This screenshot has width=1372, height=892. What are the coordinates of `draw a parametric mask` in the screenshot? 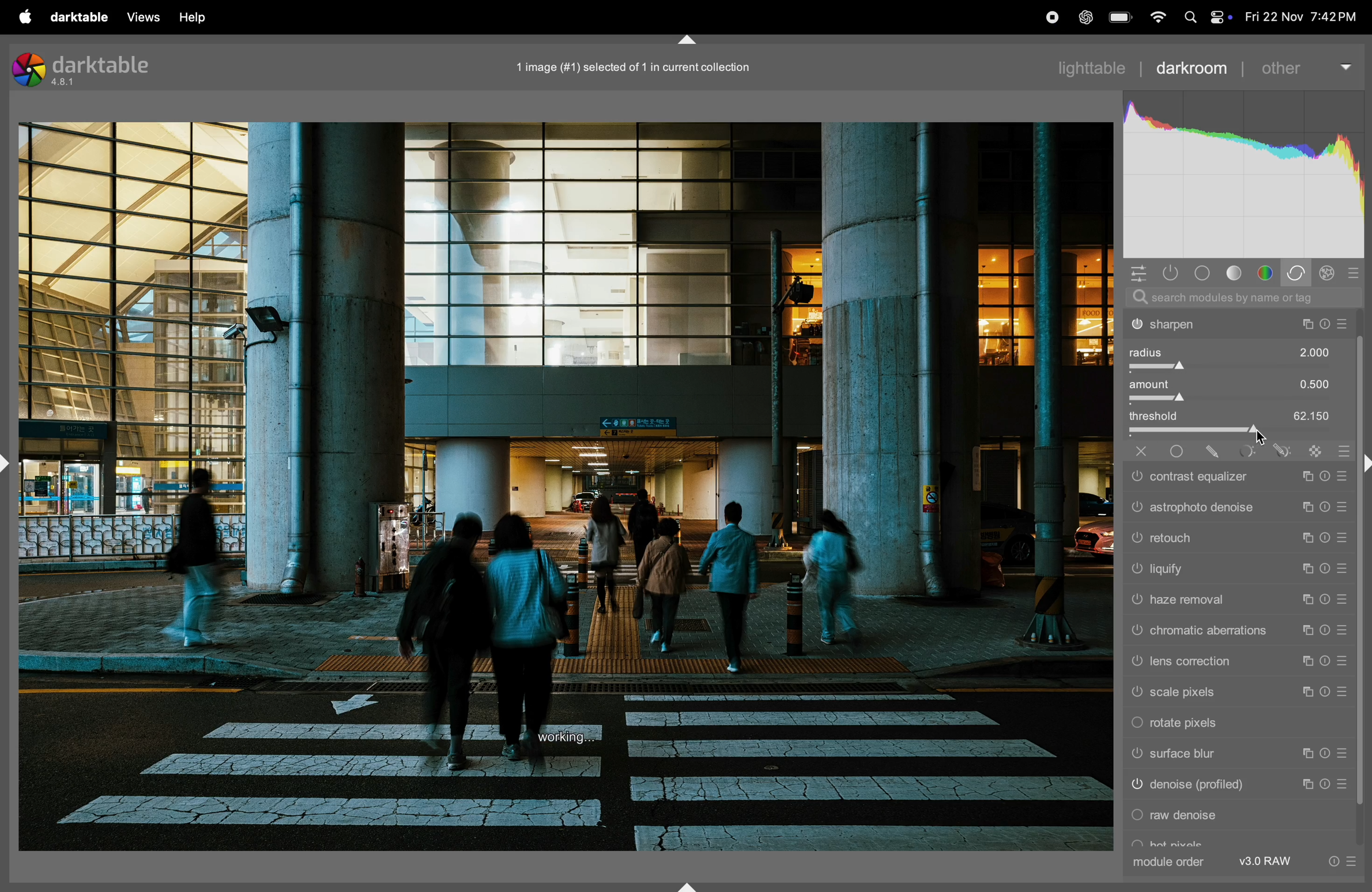 It's located at (1279, 450).